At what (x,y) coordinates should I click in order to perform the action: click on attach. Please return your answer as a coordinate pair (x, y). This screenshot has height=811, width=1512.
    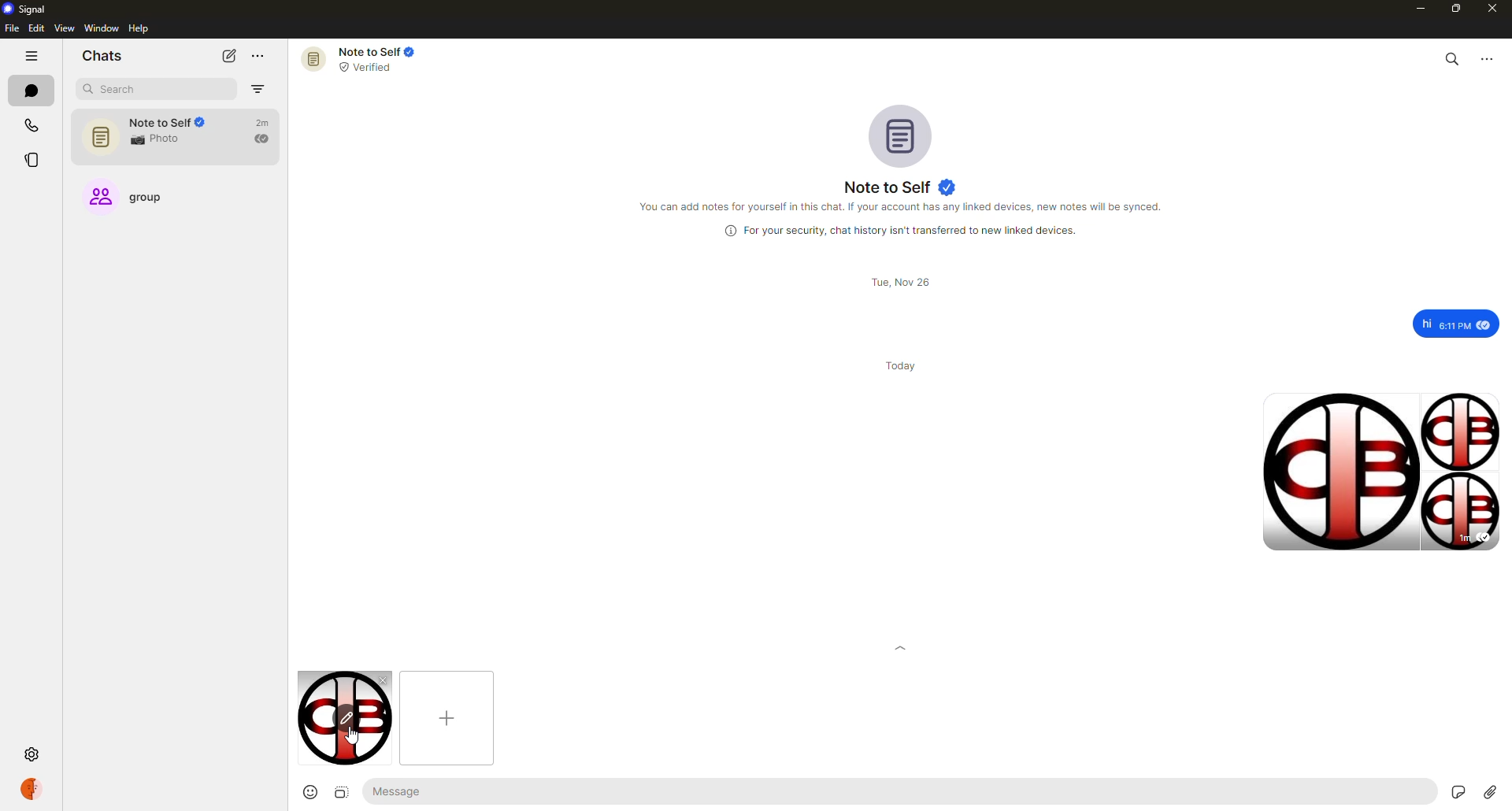
    Looking at the image, I should click on (1491, 791).